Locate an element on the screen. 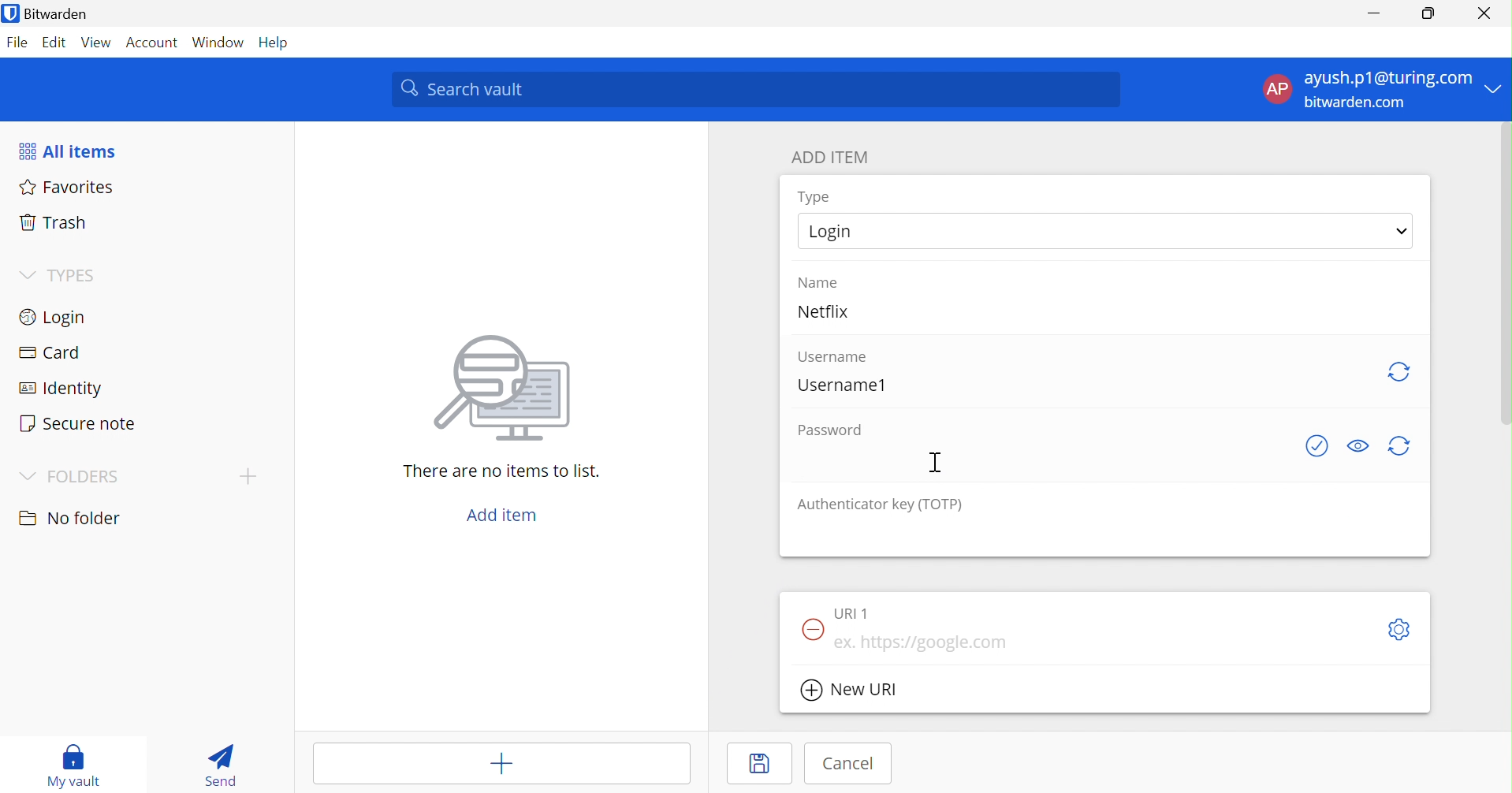  Add item is located at coordinates (501, 763).